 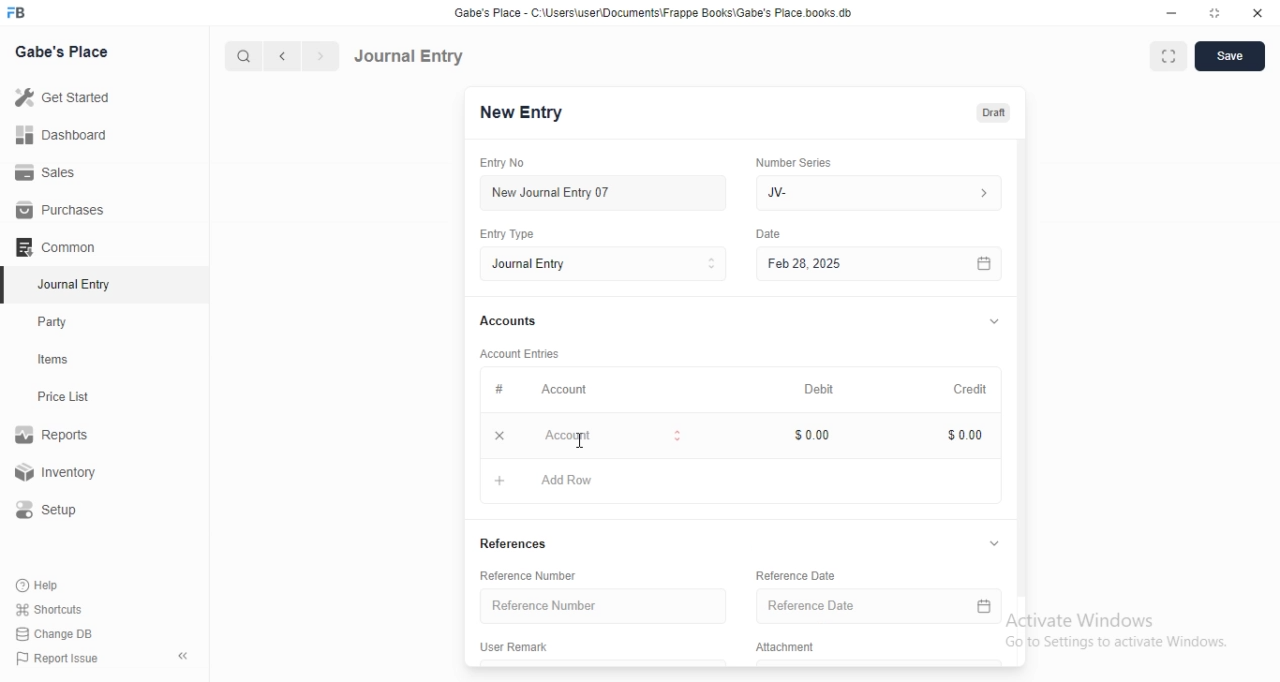 I want to click on ‘Gabe's Place - C\UsersiuserDocuments\Frappe Books\Gabe's Place books db, so click(x=653, y=12).